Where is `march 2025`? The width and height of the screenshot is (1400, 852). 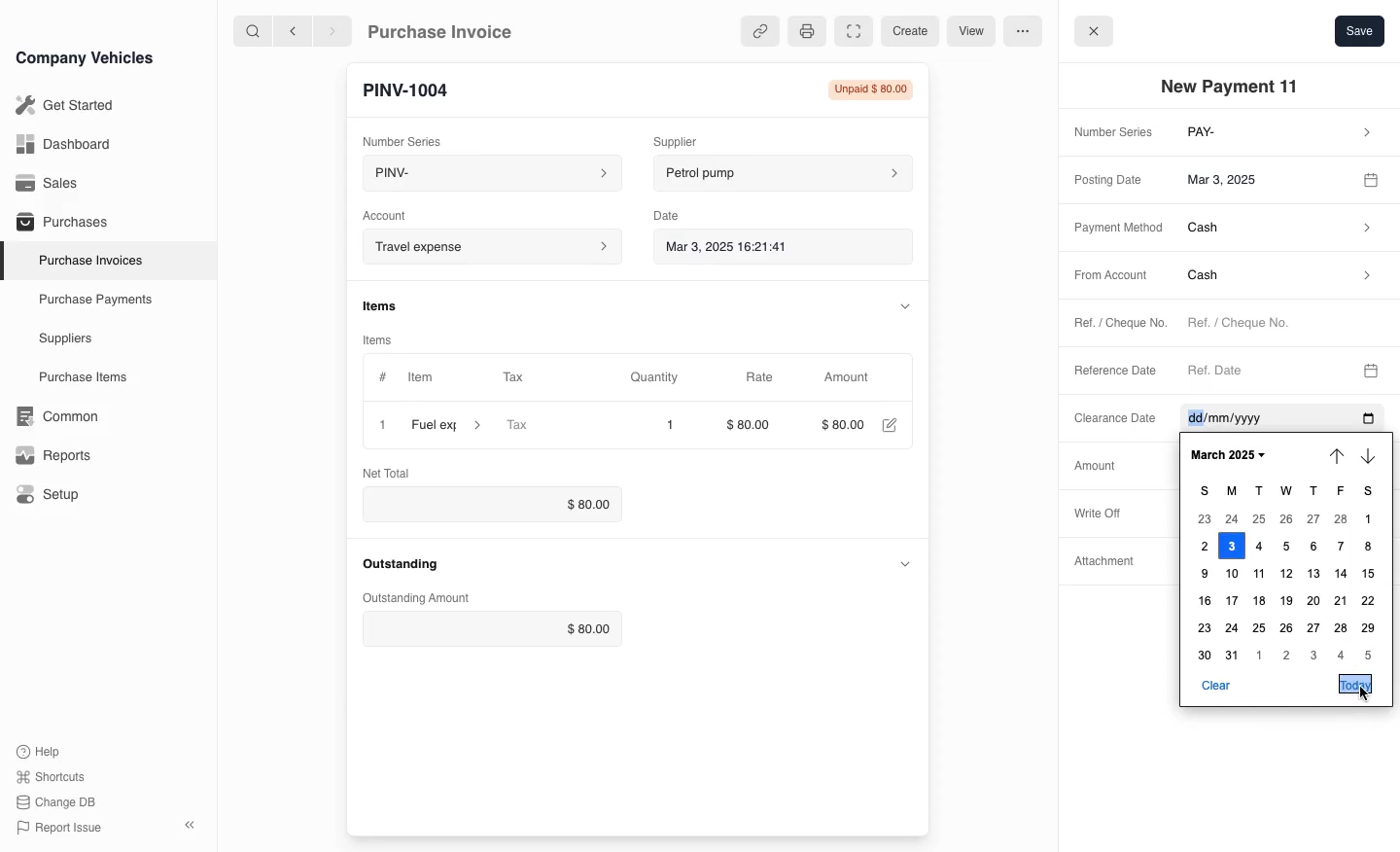
march 2025 is located at coordinates (1227, 456).